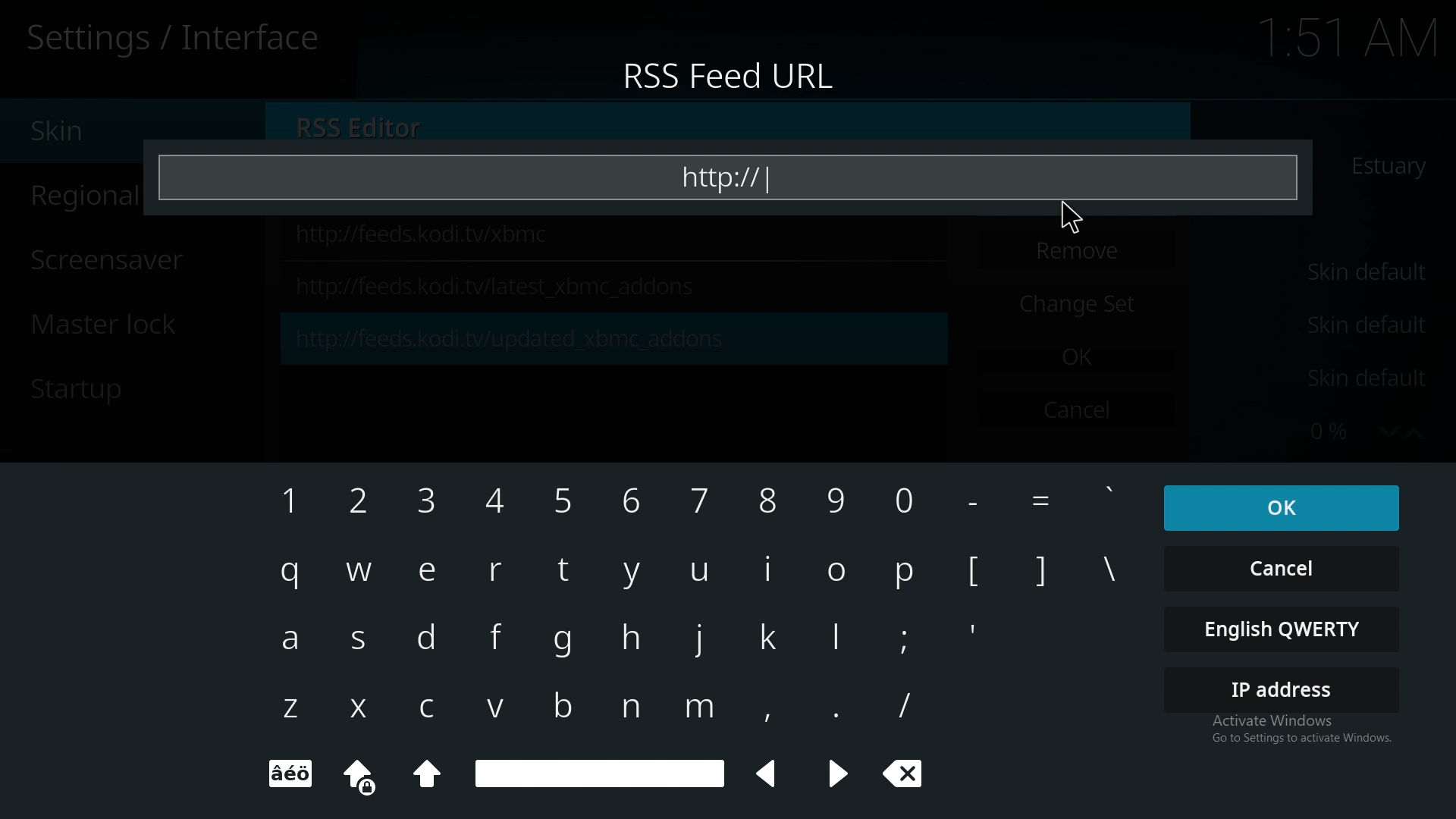 This screenshot has height=819, width=1456. Describe the element at coordinates (1110, 569) in the screenshot. I see `\` at that location.